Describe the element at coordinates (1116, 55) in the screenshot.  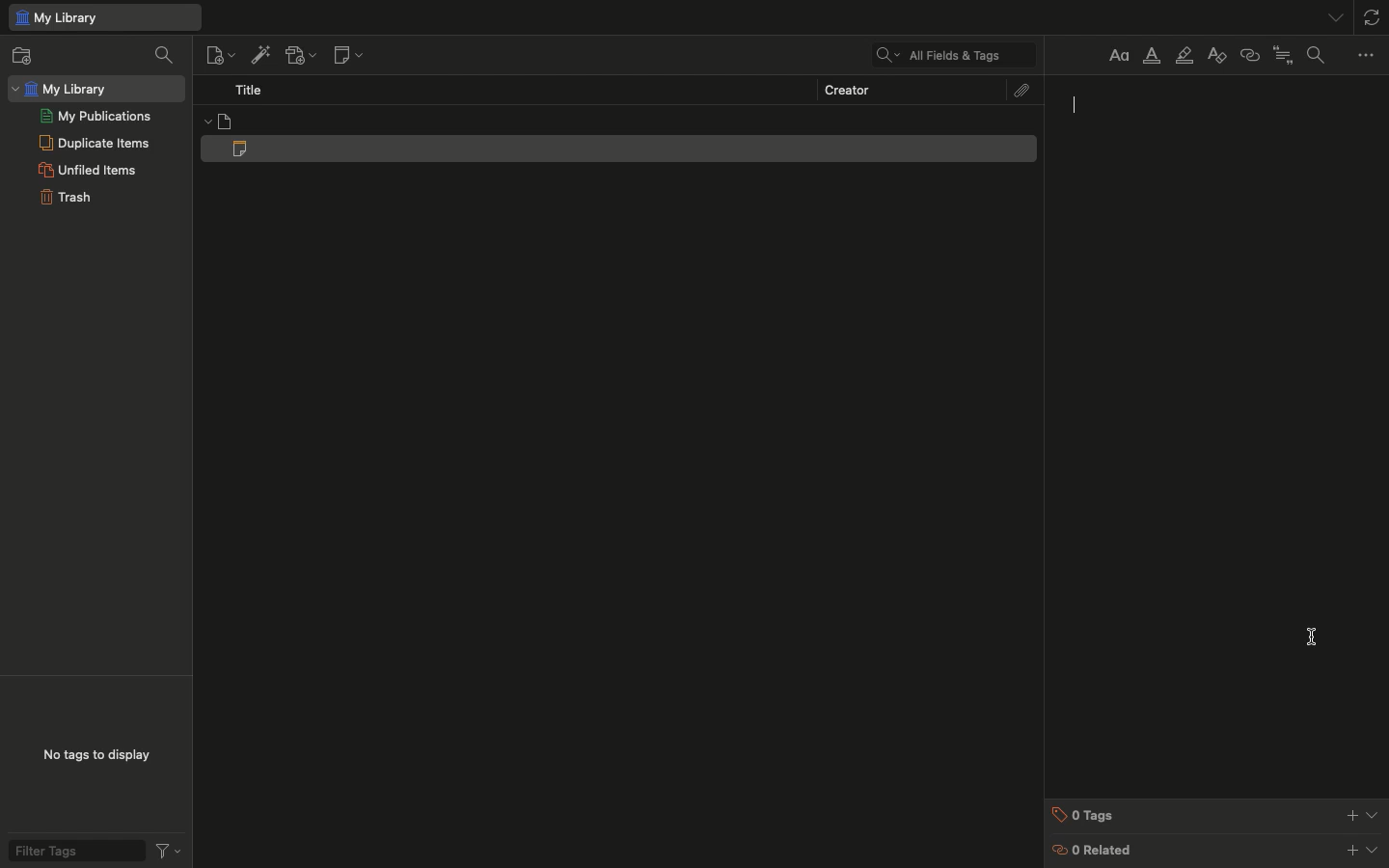
I see `Format text` at that location.